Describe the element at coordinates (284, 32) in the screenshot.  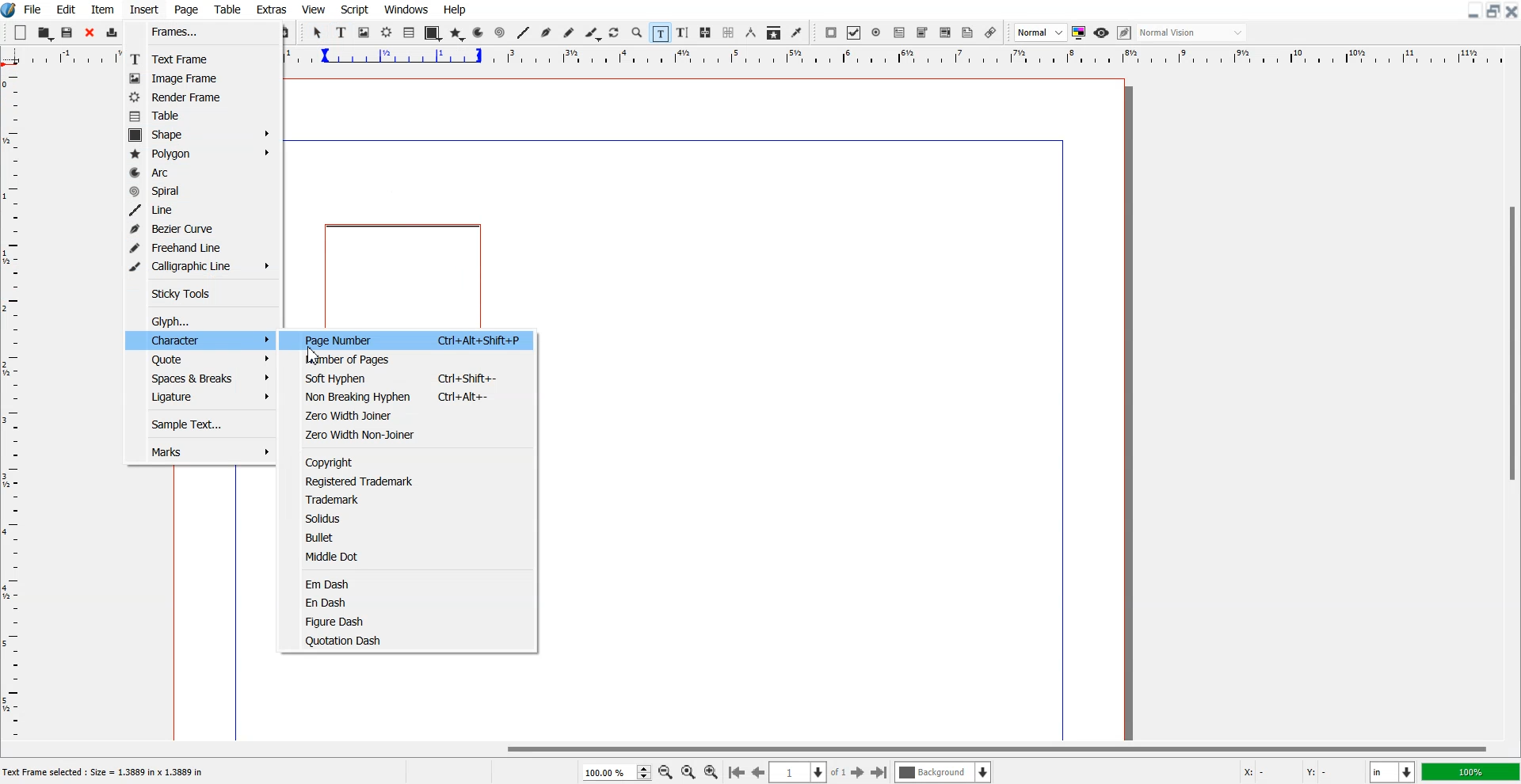
I see `Paste` at that location.